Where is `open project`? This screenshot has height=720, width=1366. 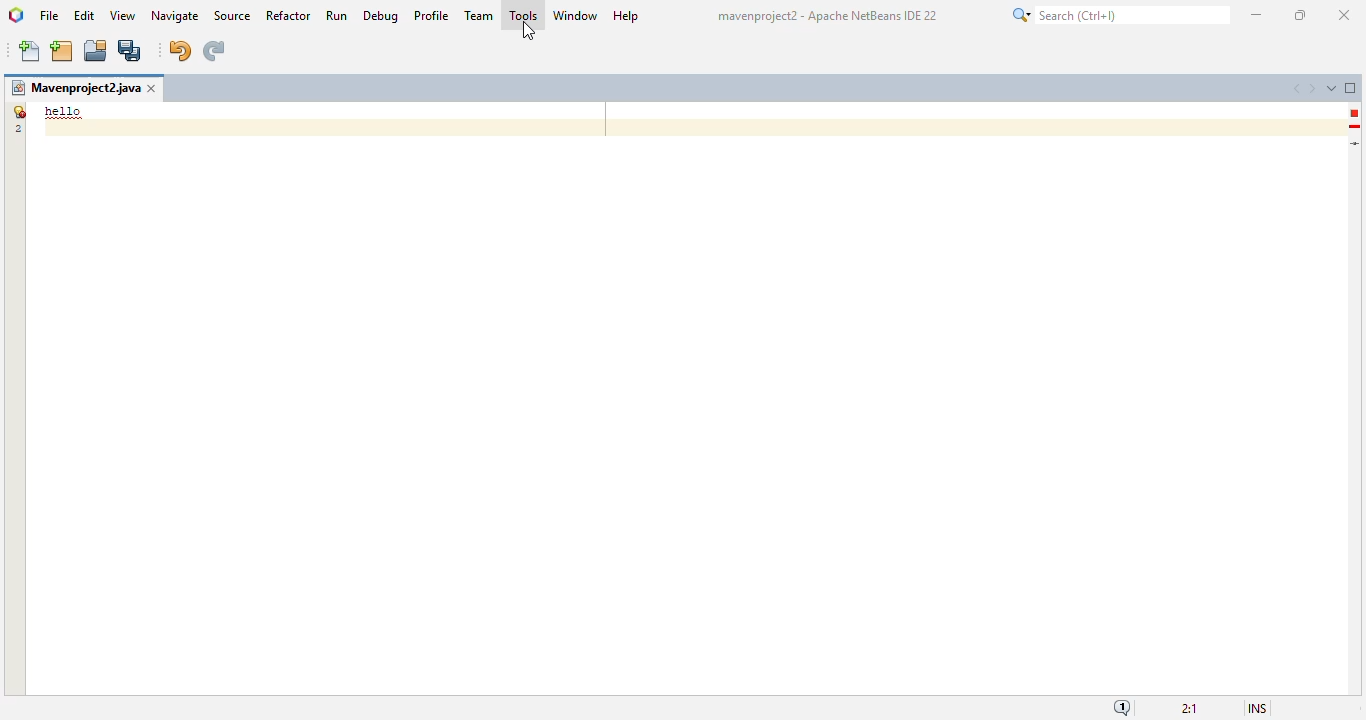 open project is located at coordinates (96, 51).